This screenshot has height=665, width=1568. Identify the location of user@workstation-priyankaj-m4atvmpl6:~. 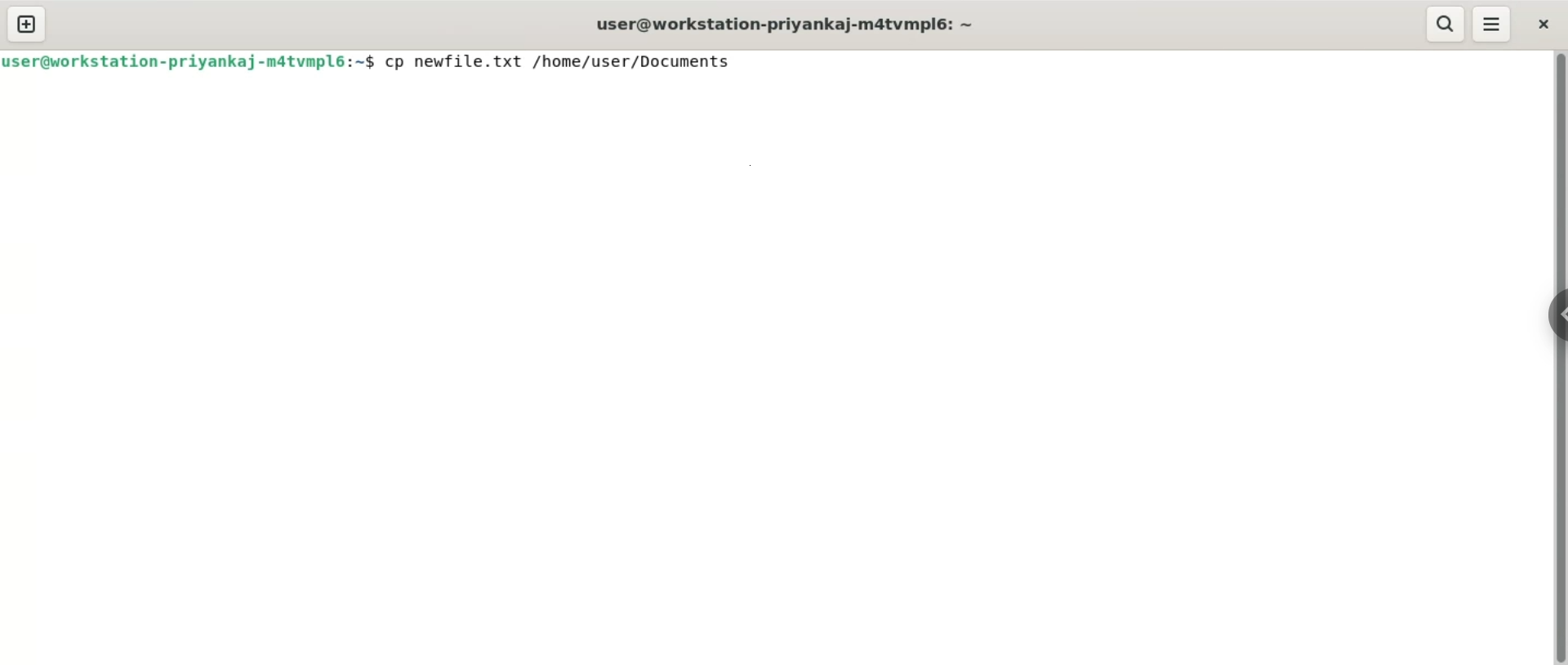
(784, 24).